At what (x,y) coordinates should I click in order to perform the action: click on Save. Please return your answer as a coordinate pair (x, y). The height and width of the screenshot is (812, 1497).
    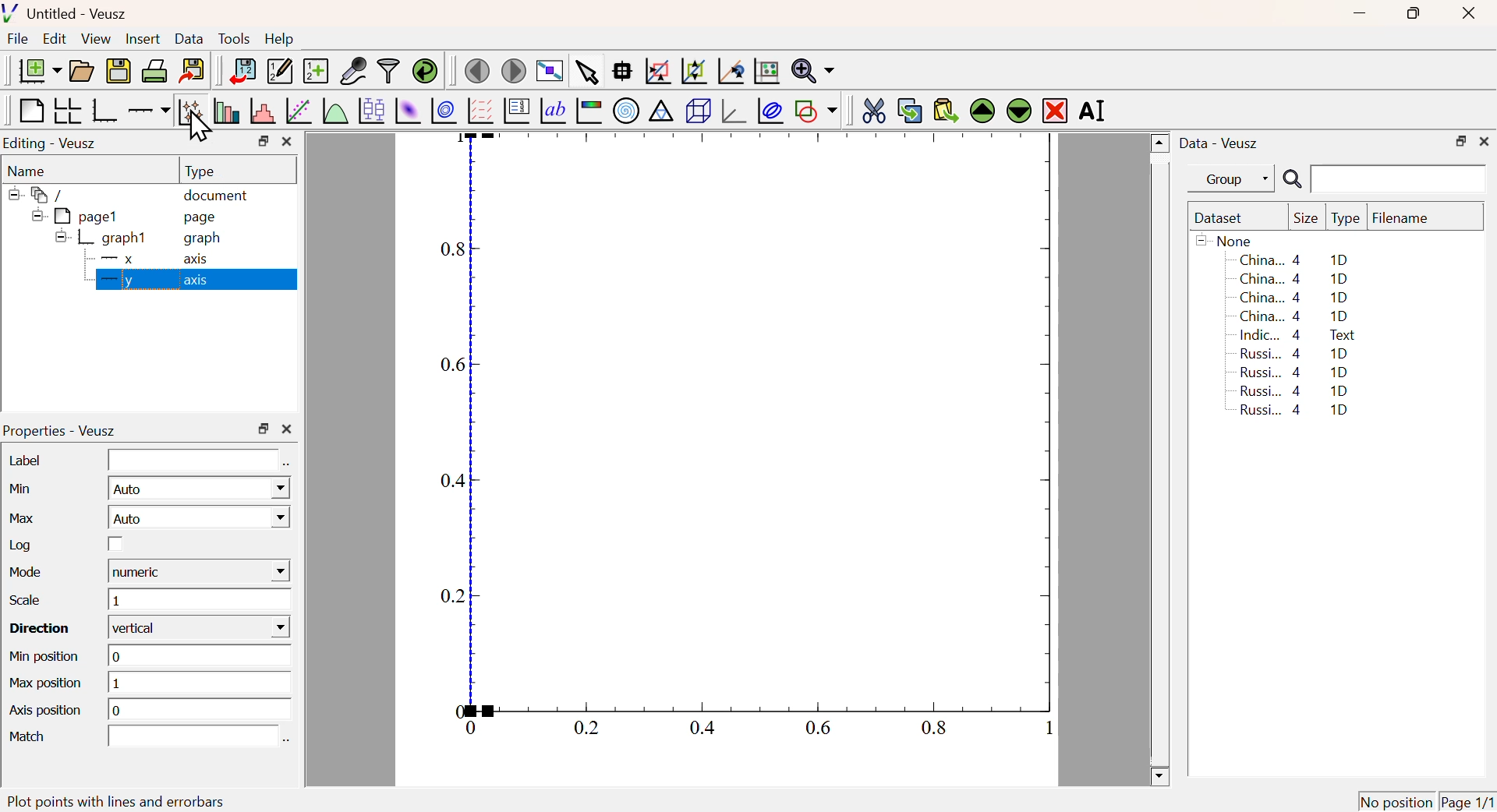
    Looking at the image, I should click on (119, 72).